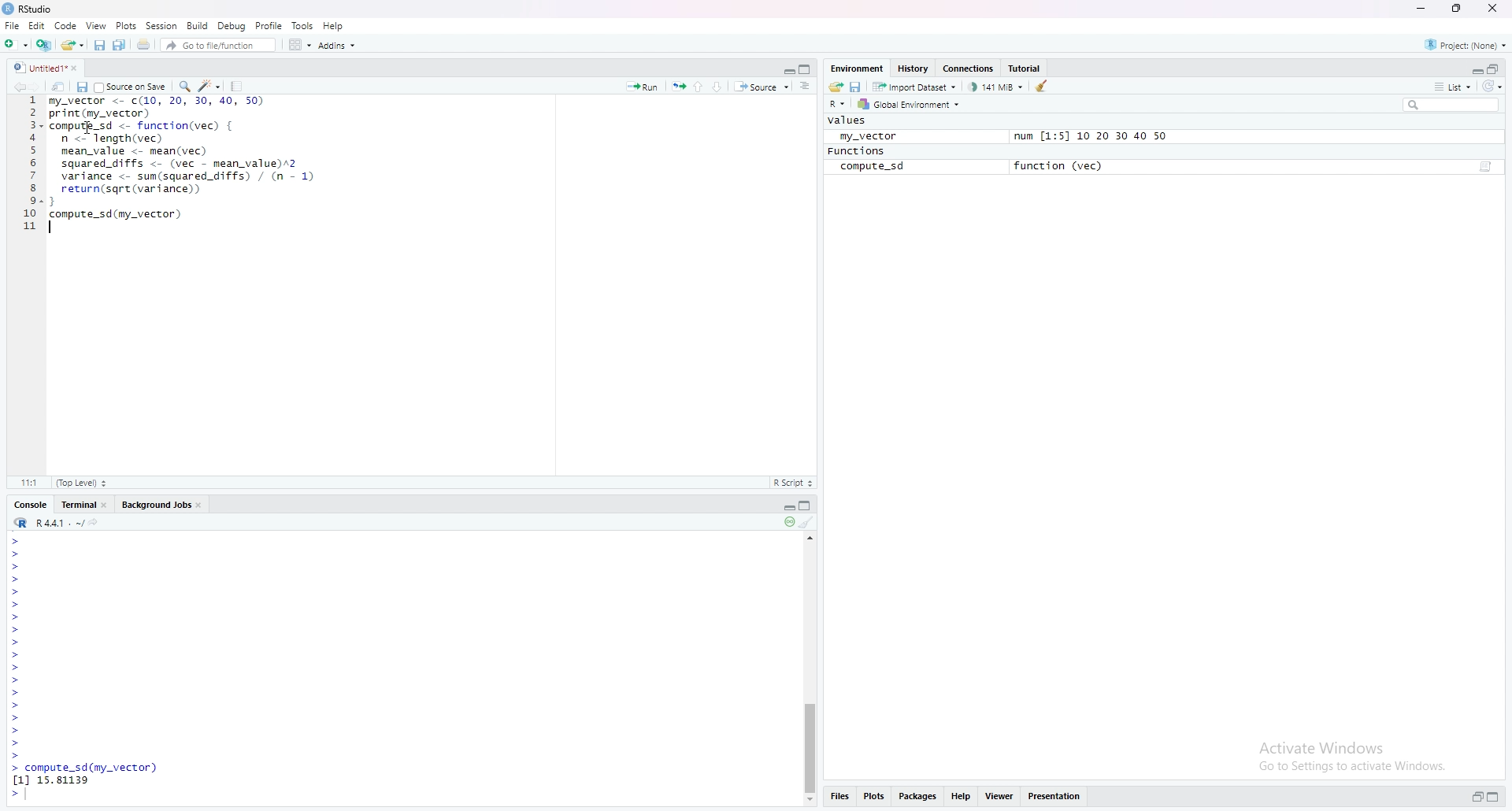 The height and width of the screenshot is (811, 1512). What do you see at coordinates (762, 87) in the screenshot?
I see `Source the contents of the active documents` at bounding box center [762, 87].